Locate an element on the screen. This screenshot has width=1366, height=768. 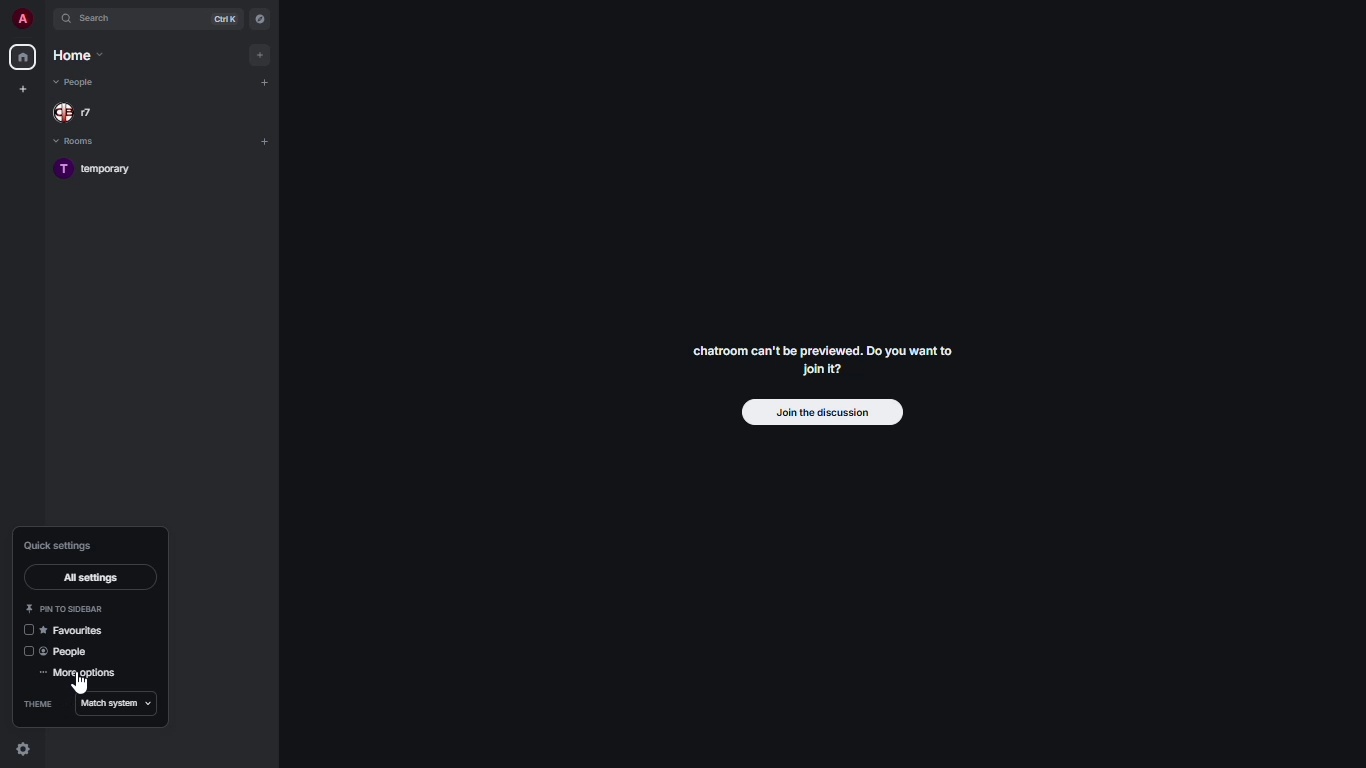
create new space is located at coordinates (20, 89).